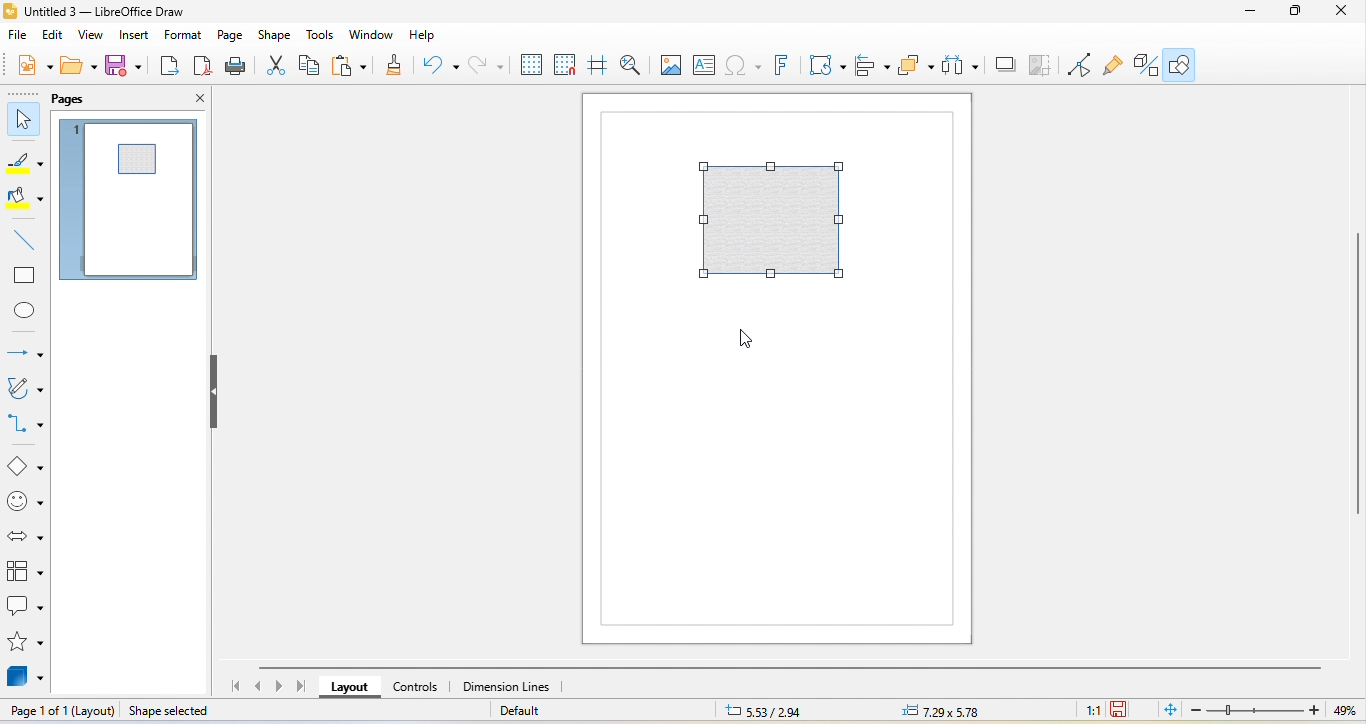 Image resolution: width=1366 pixels, height=724 pixels. I want to click on window, so click(372, 35).